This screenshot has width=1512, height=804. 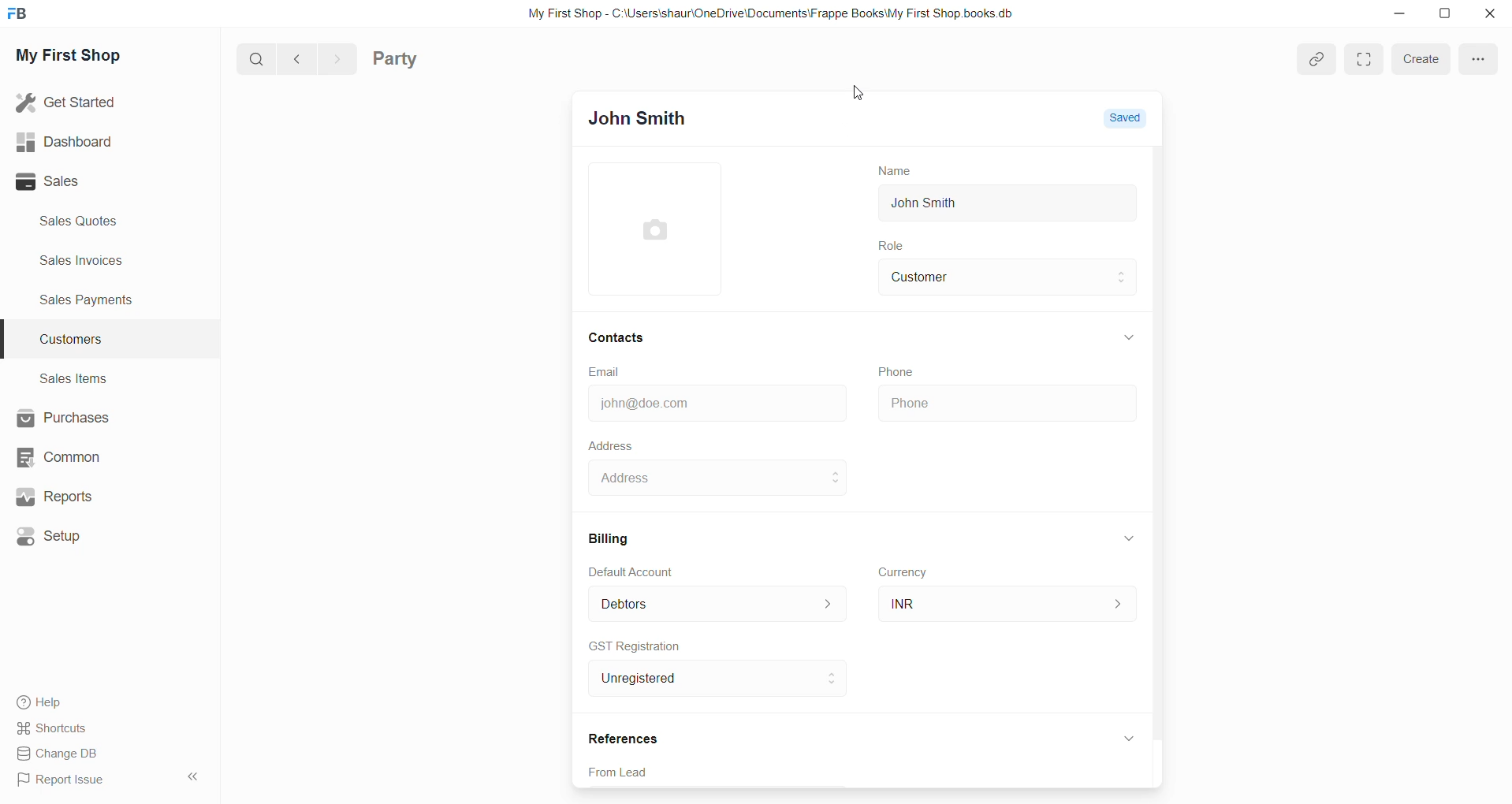 I want to click on Get Started, so click(x=69, y=102).